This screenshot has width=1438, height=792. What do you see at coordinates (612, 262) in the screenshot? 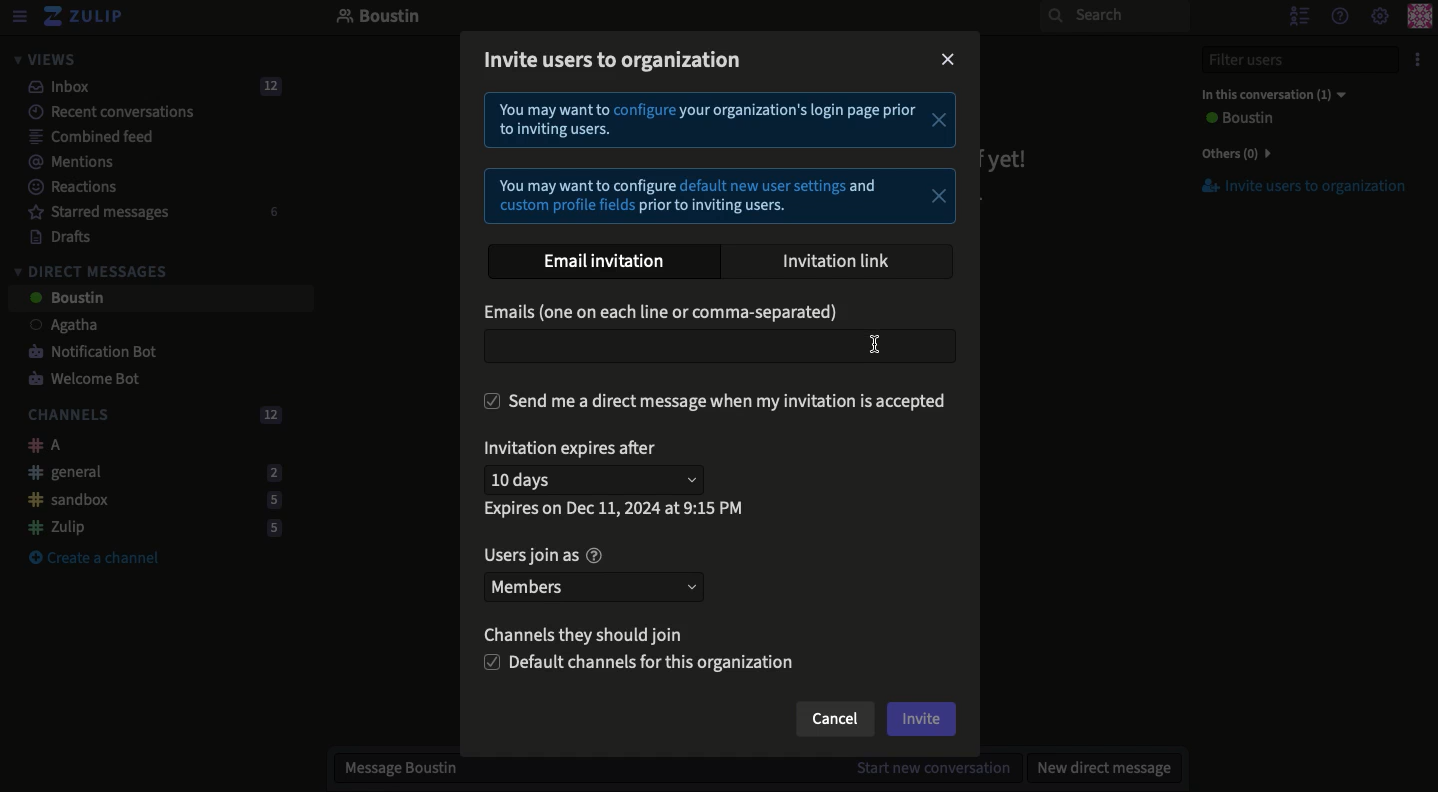
I see `Email invitation ` at bounding box center [612, 262].